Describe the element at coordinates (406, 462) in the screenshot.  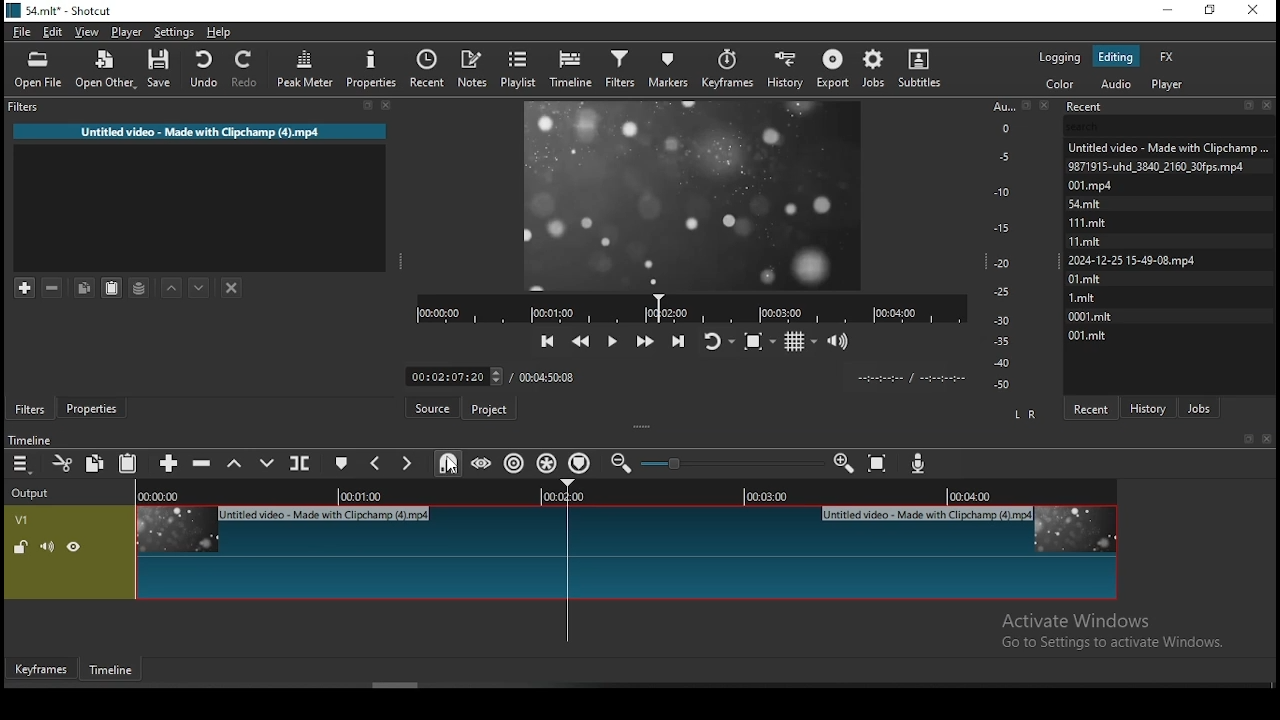
I see `` at that location.